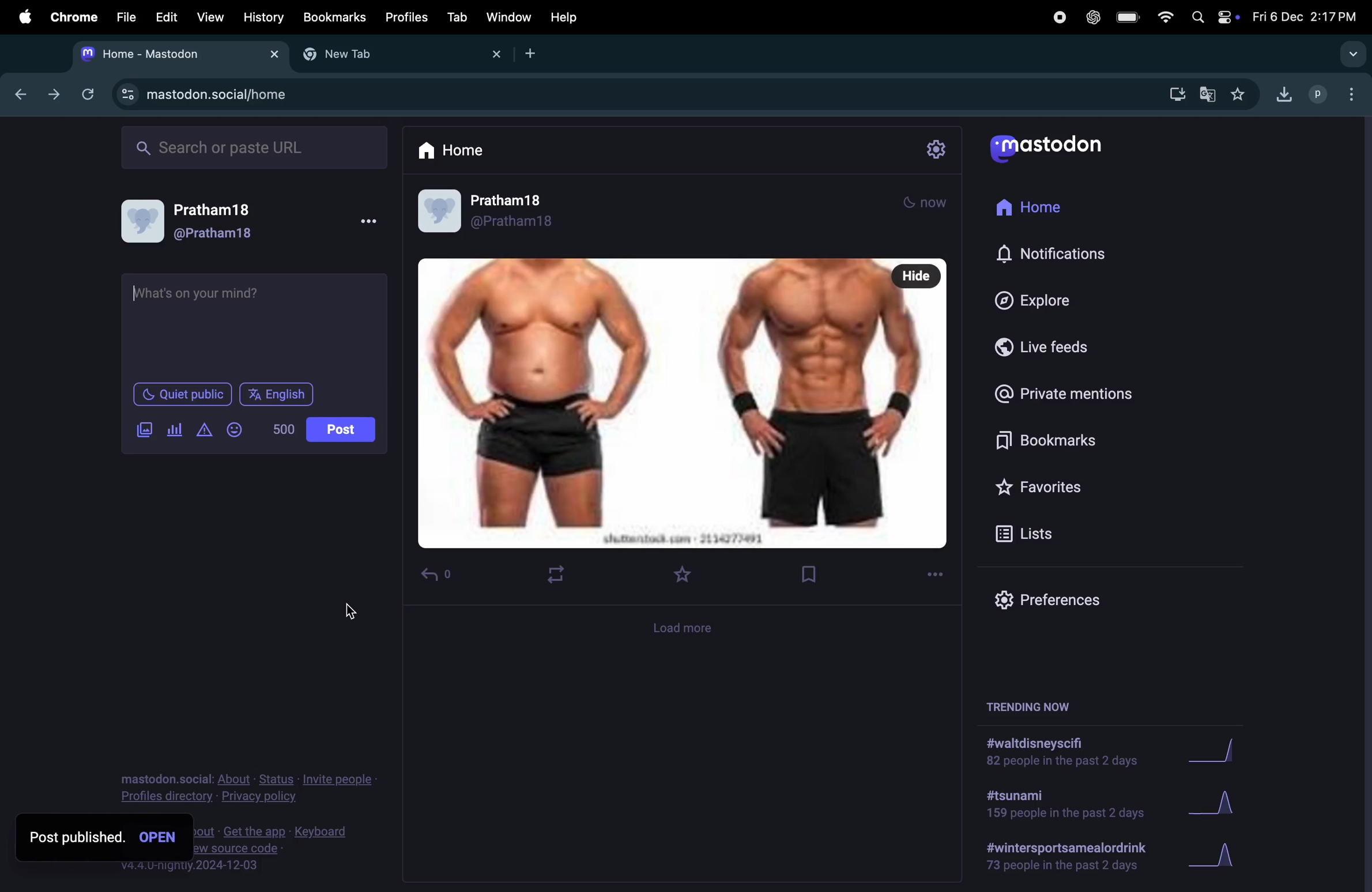 This screenshot has width=1372, height=892. Describe the element at coordinates (1304, 16) in the screenshot. I see `date and time` at that location.